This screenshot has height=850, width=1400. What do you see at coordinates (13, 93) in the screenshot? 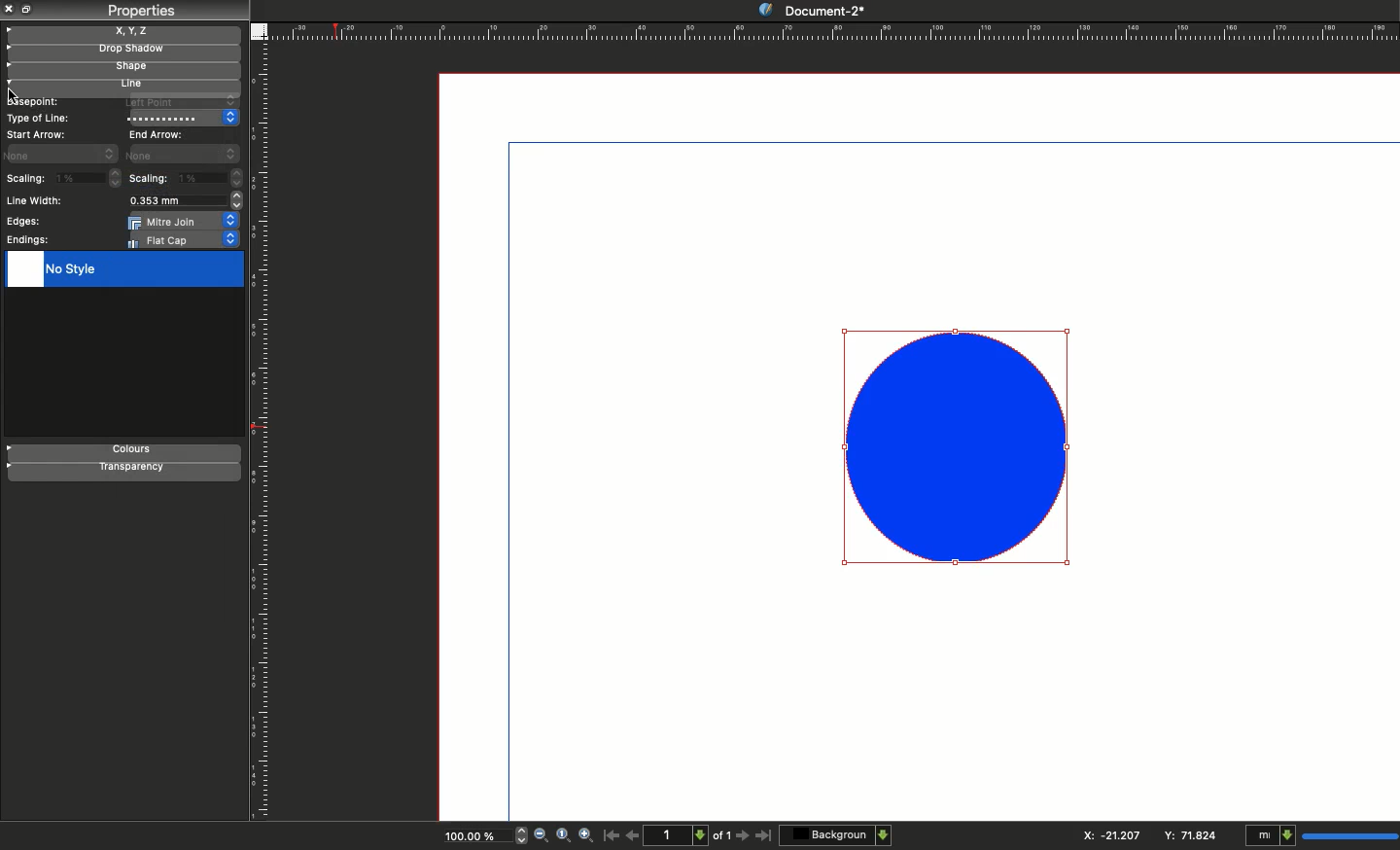
I see `Cursor` at bounding box center [13, 93].